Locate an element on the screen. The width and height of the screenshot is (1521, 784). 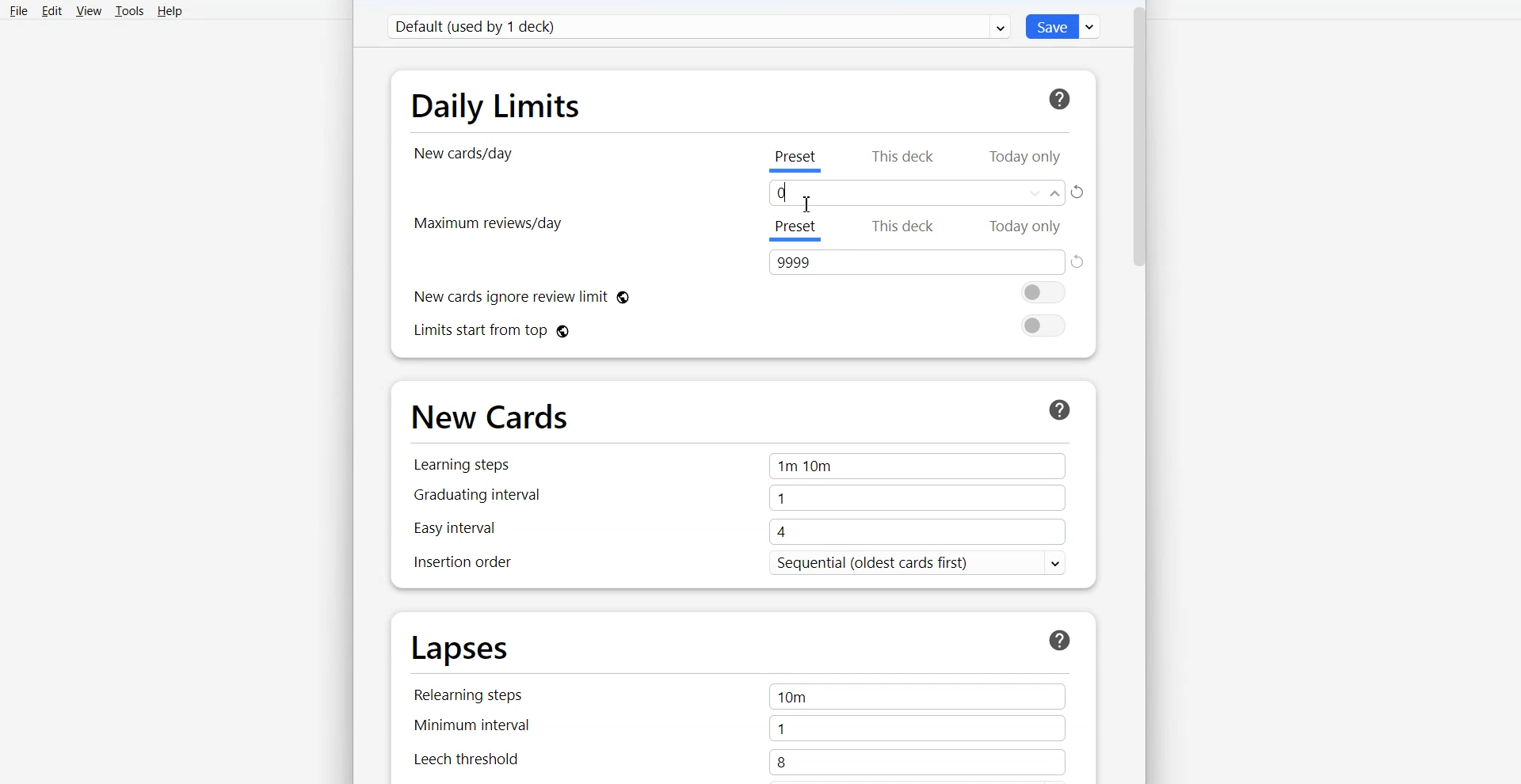
Inspection order is located at coordinates (501, 565).